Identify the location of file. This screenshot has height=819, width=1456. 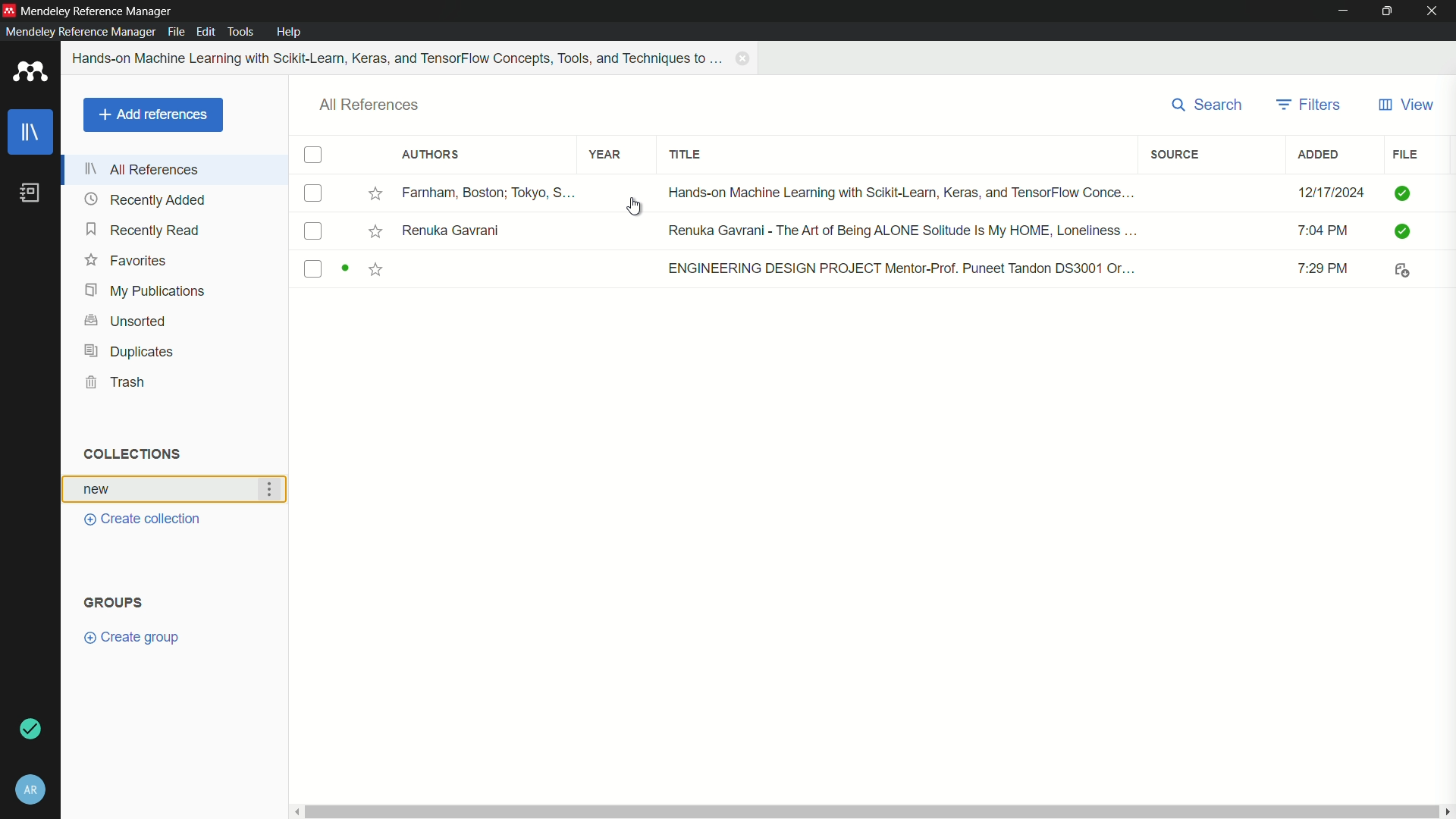
(1404, 155).